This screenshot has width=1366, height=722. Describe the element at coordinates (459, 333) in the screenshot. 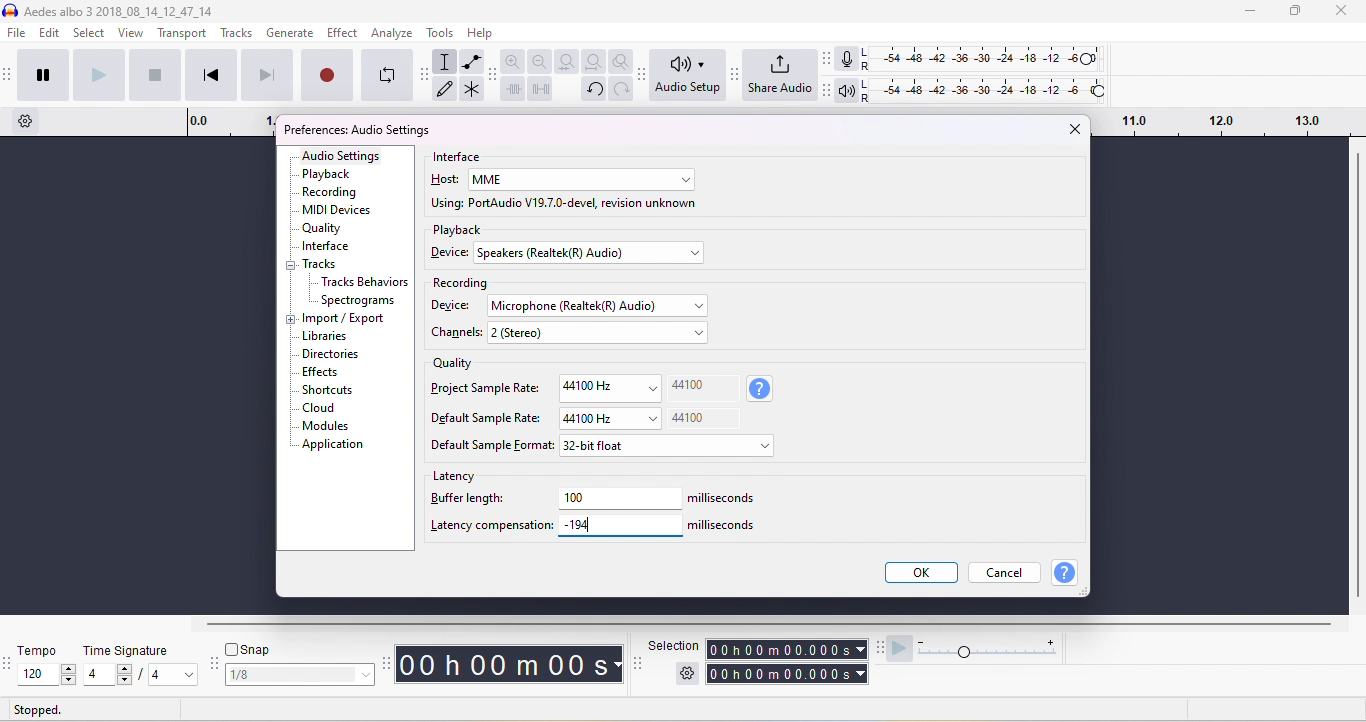

I see `chanels` at that location.